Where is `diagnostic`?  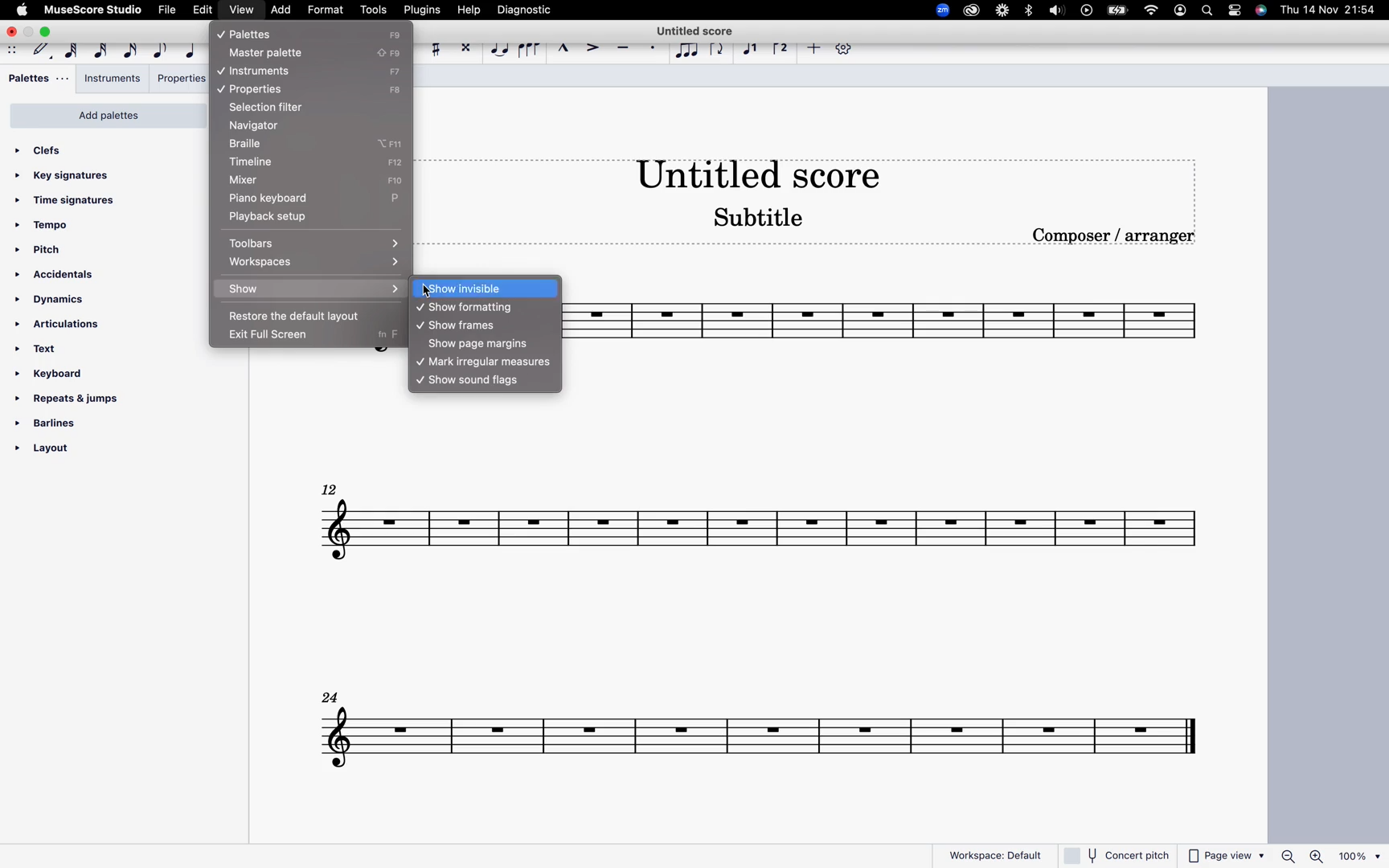
diagnostic is located at coordinates (524, 10).